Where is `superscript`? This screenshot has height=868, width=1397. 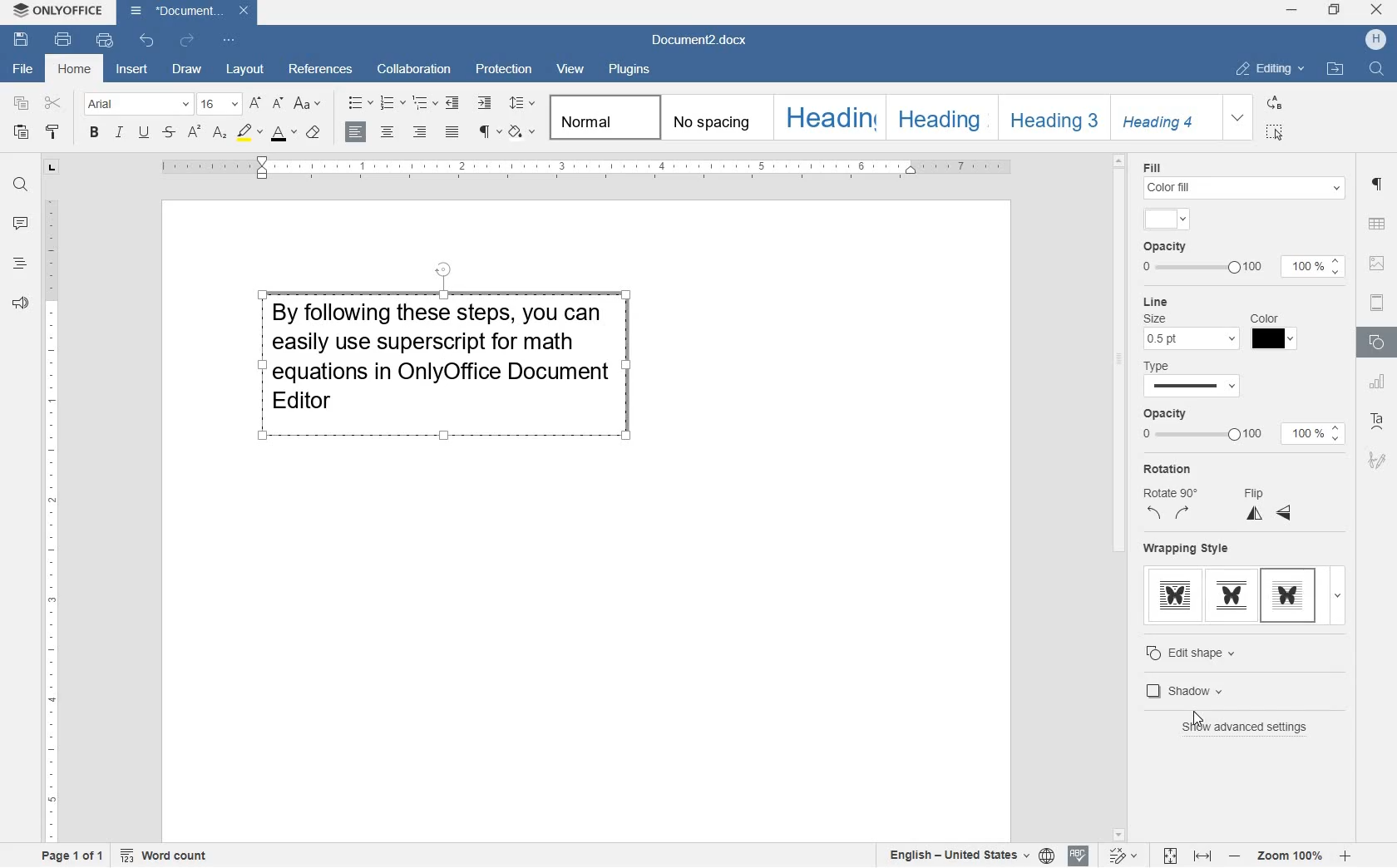
superscript is located at coordinates (194, 133).